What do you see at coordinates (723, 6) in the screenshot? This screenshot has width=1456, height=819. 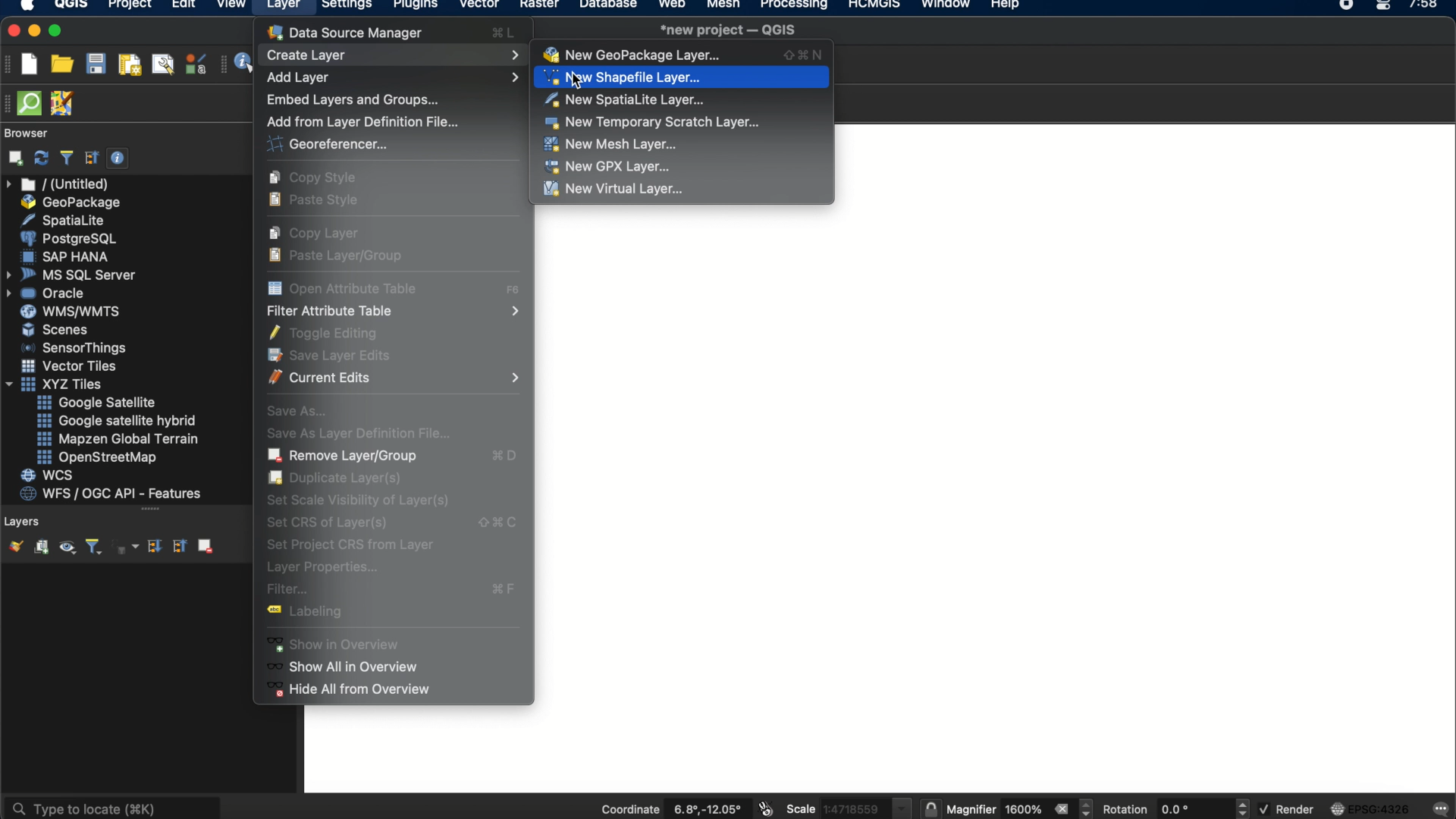 I see `mesh` at bounding box center [723, 6].